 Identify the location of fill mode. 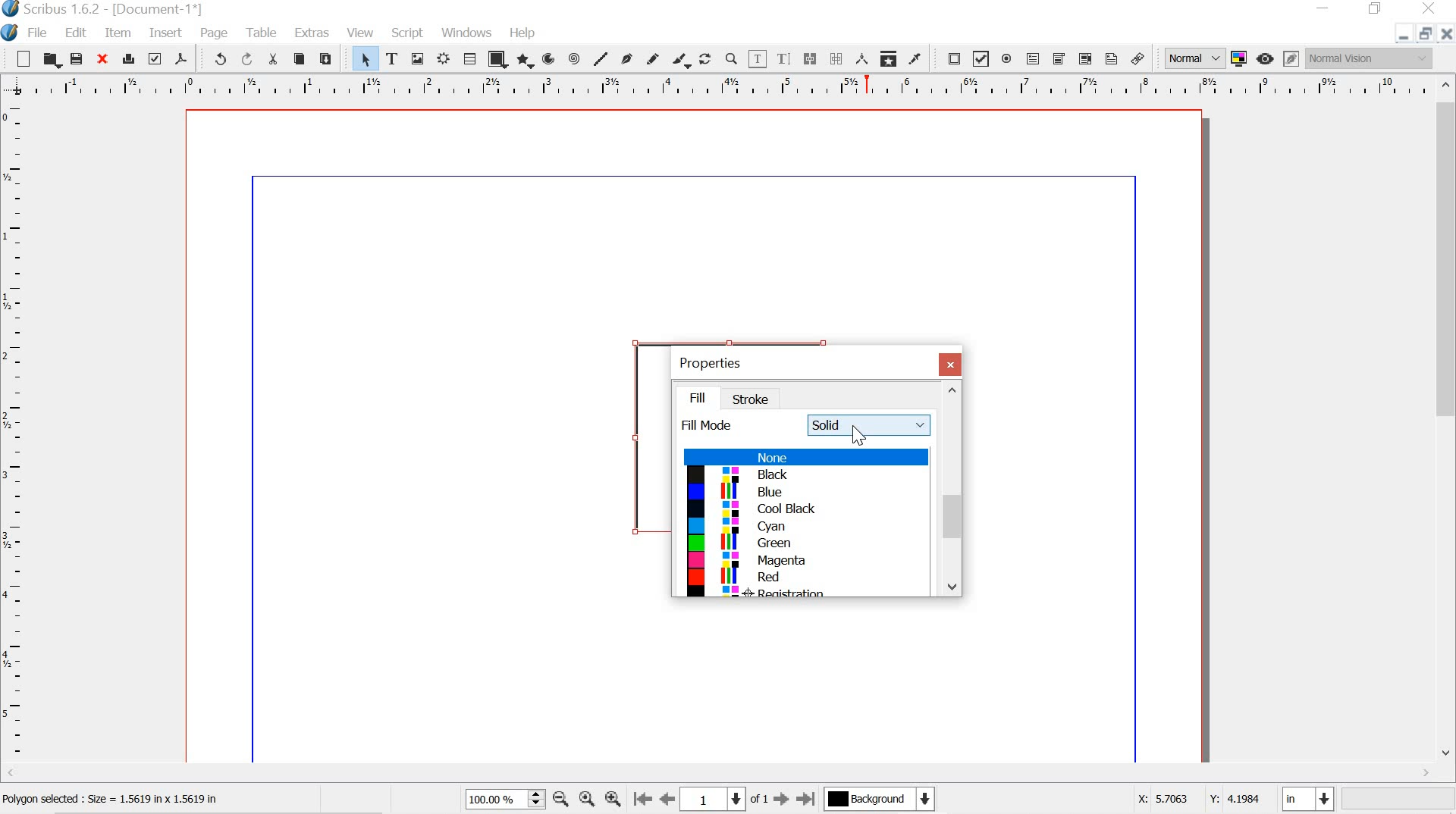
(710, 426).